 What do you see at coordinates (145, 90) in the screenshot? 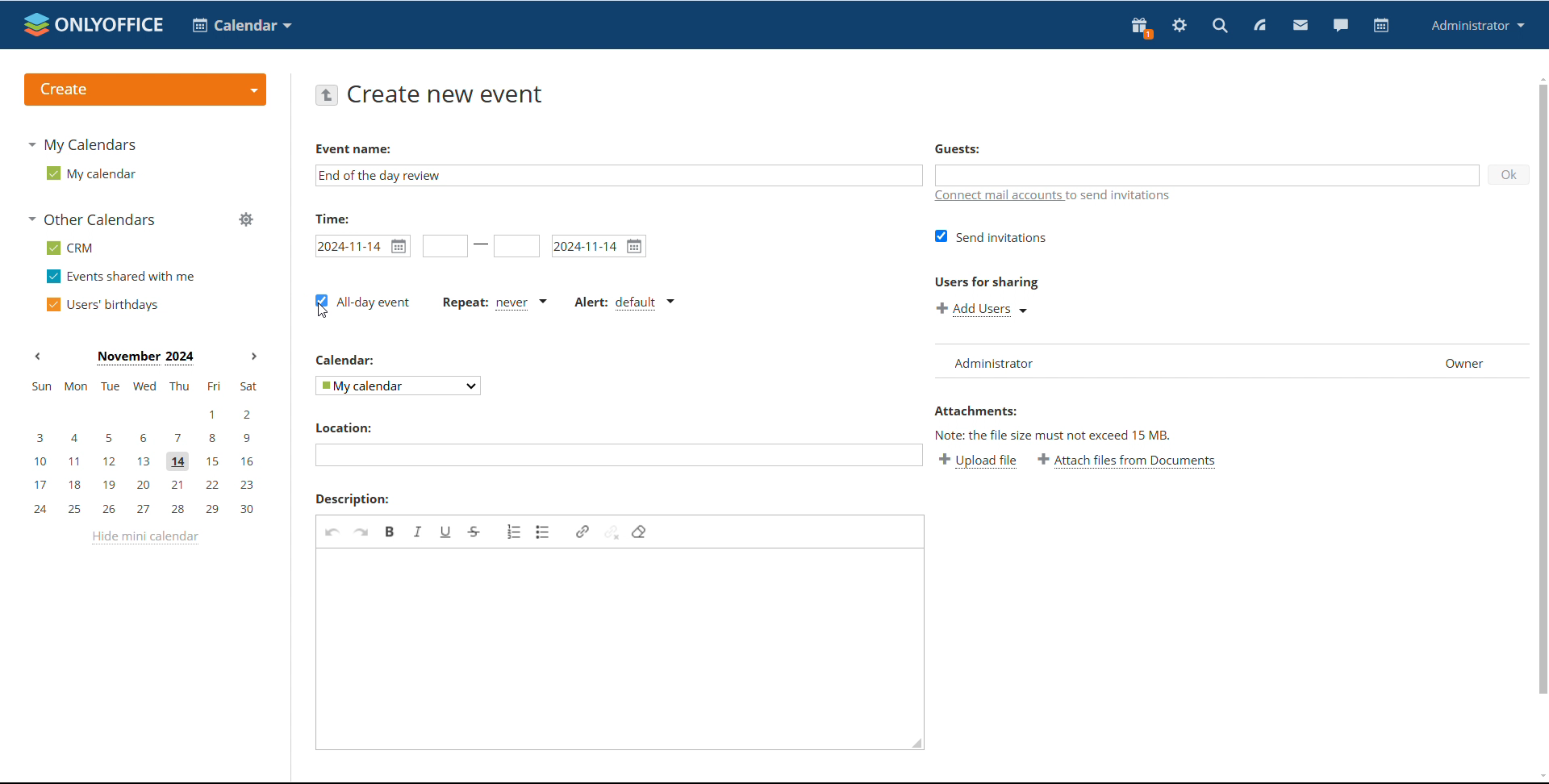
I see `create` at bounding box center [145, 90].